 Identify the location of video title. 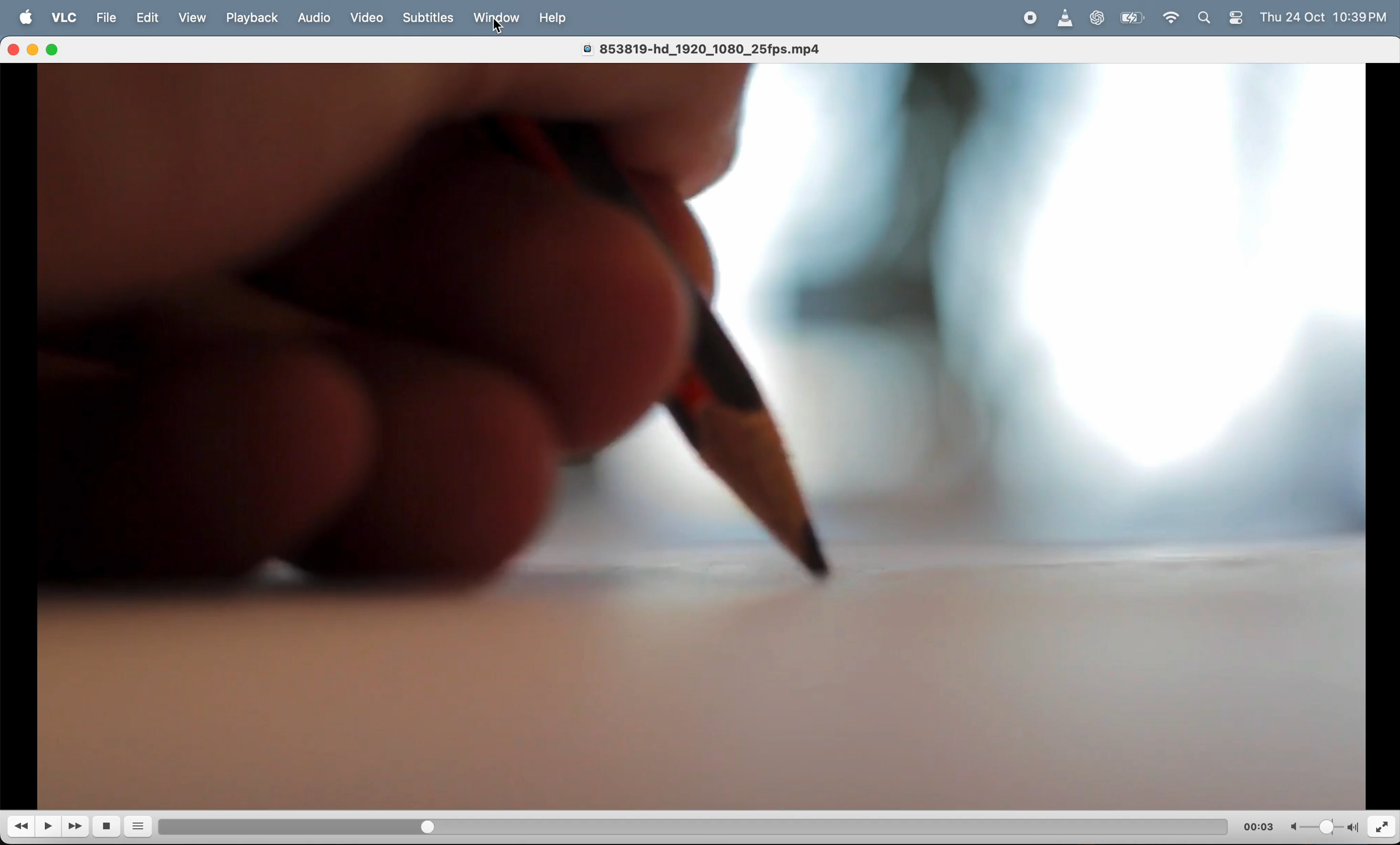
(711, 47).